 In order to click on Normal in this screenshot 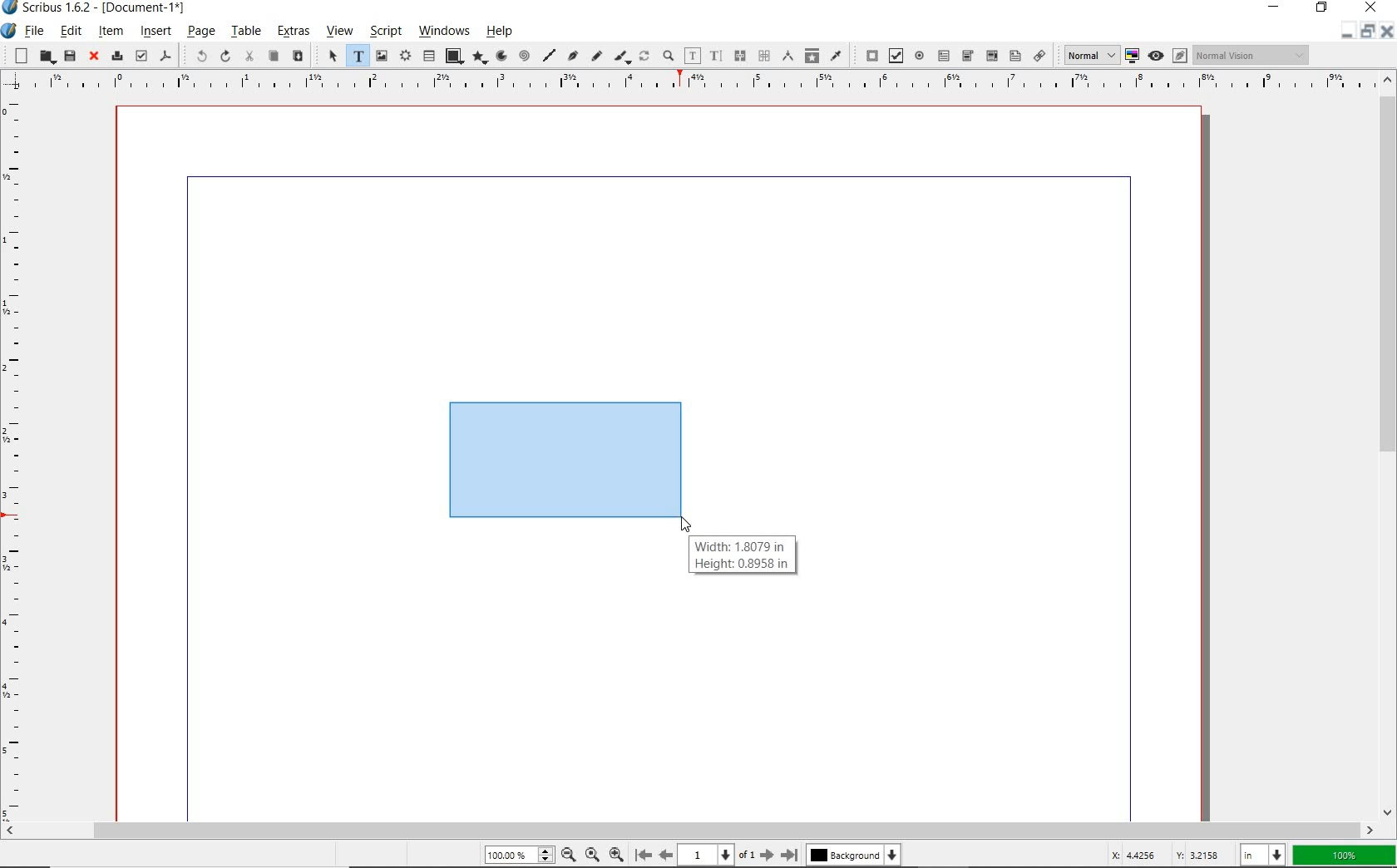, I will do `click(1090, 55)`.